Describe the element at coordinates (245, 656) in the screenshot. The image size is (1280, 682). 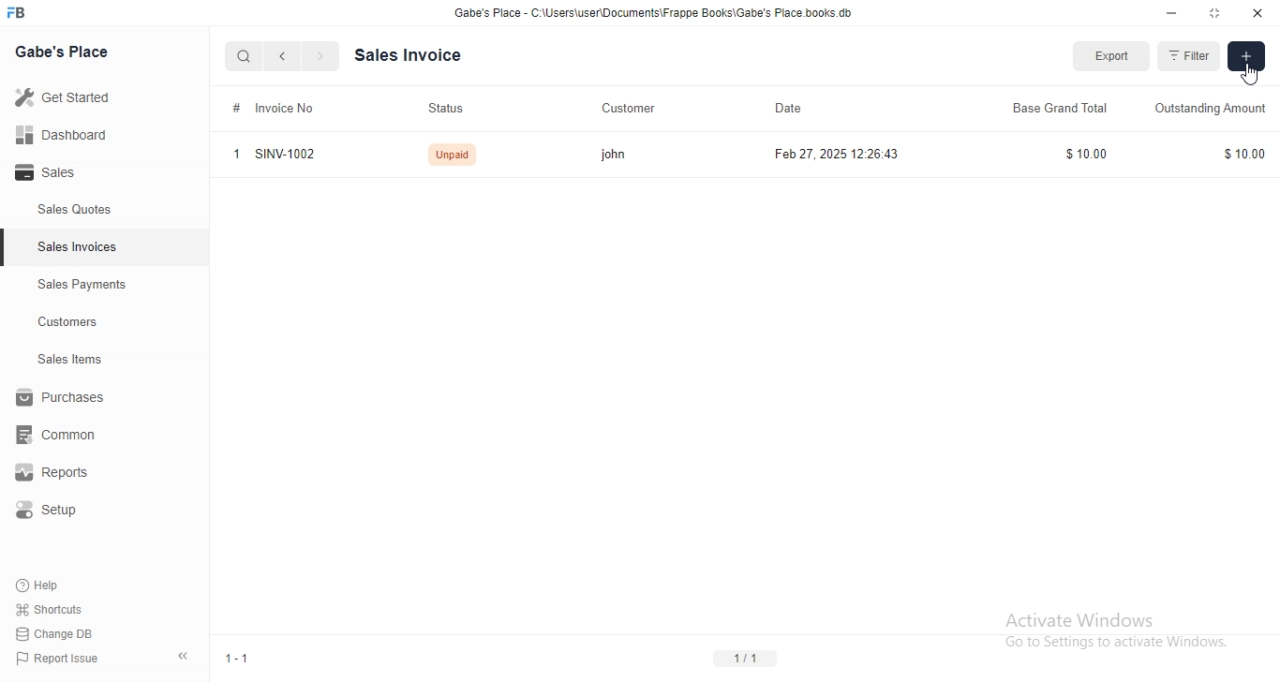
I see `1-1` at that location.